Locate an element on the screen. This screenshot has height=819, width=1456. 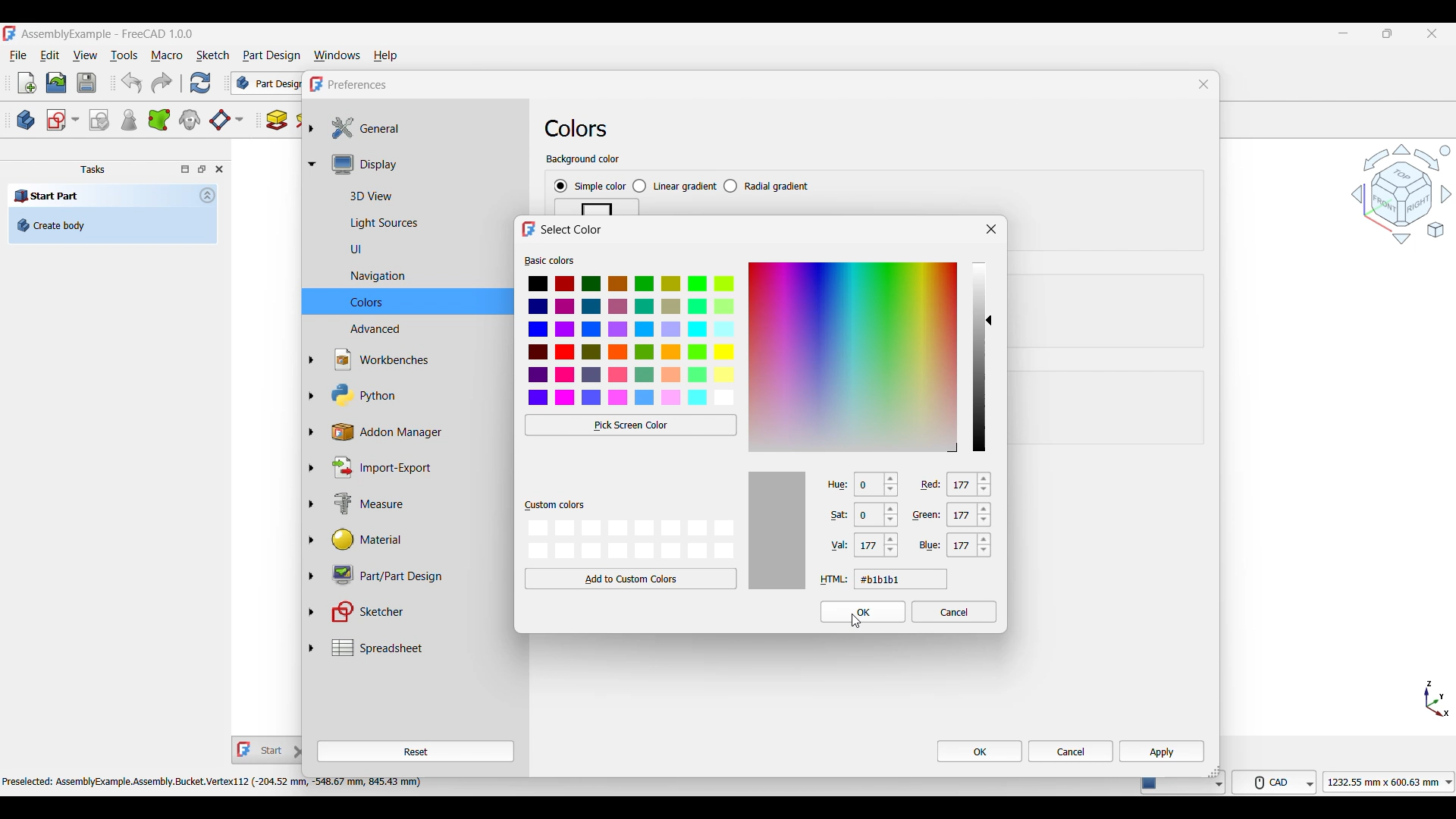
Python is located at coordinates (416, 395).